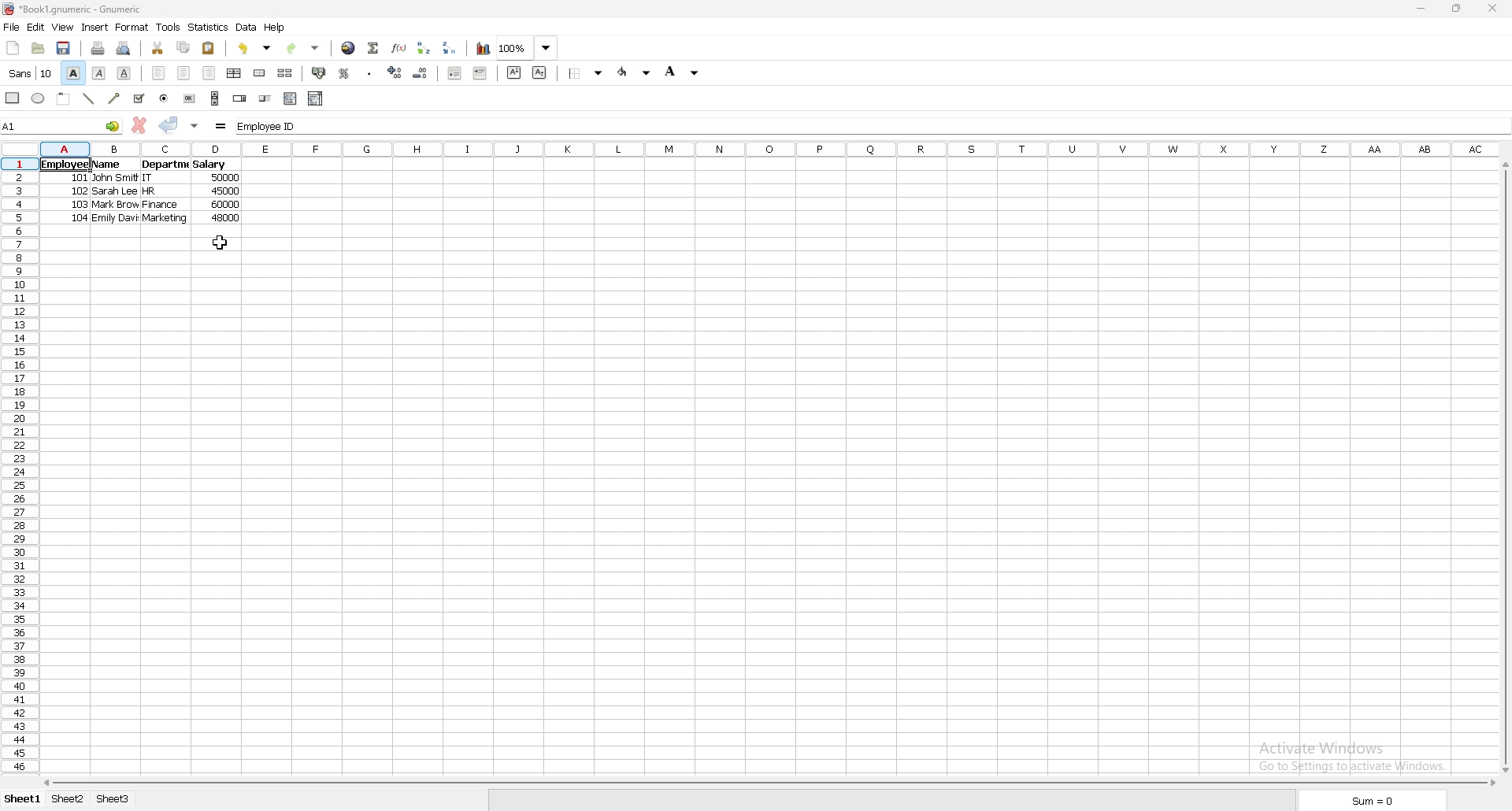  What do you see at coordinates (69, 801) in the screenshot?
I see `sheet 2` at bounding box center [69, 801].